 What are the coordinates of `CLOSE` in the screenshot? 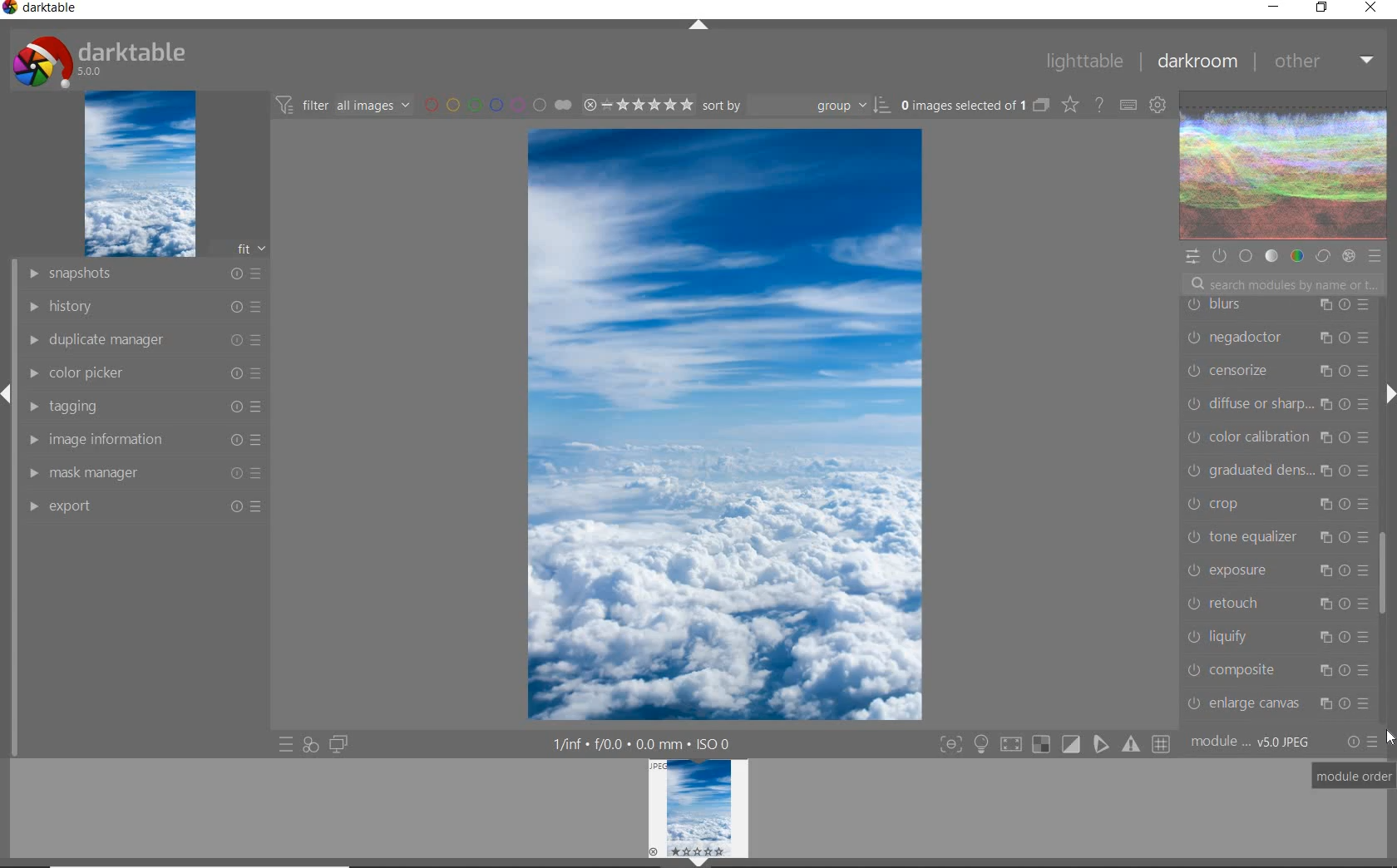 It's located at (1371, 8).